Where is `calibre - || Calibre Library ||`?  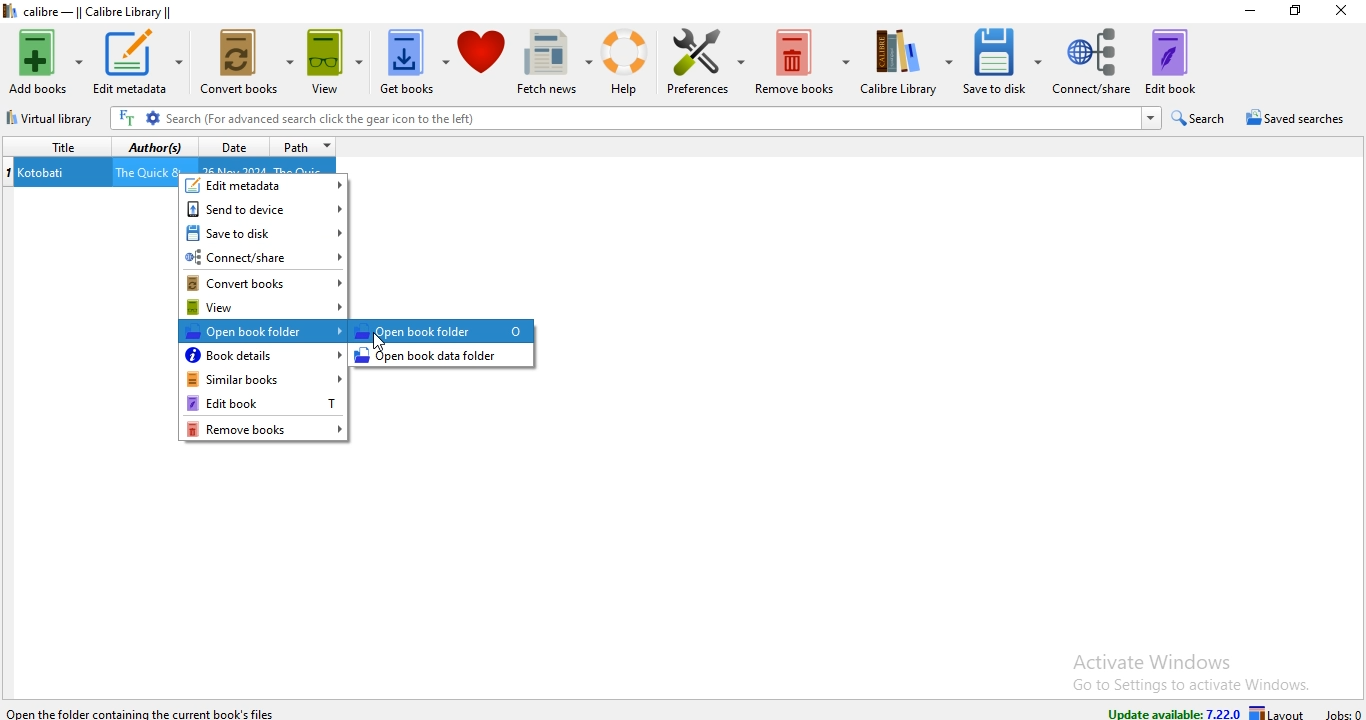
calibre - || Calibre Library || is located at coordinates (97, 10).